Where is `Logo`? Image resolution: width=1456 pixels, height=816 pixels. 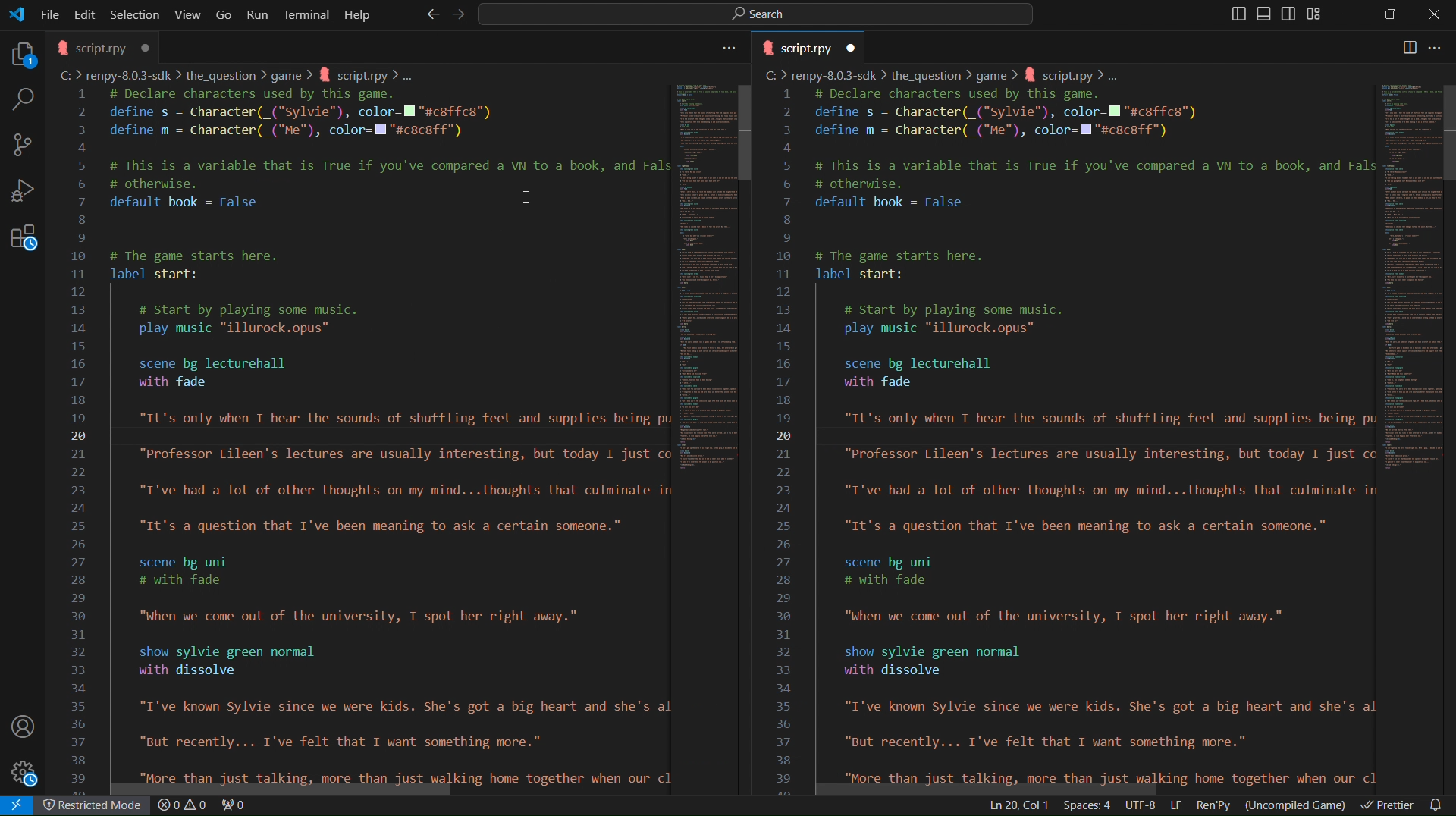 Logo is located at coordinates (17, 14).